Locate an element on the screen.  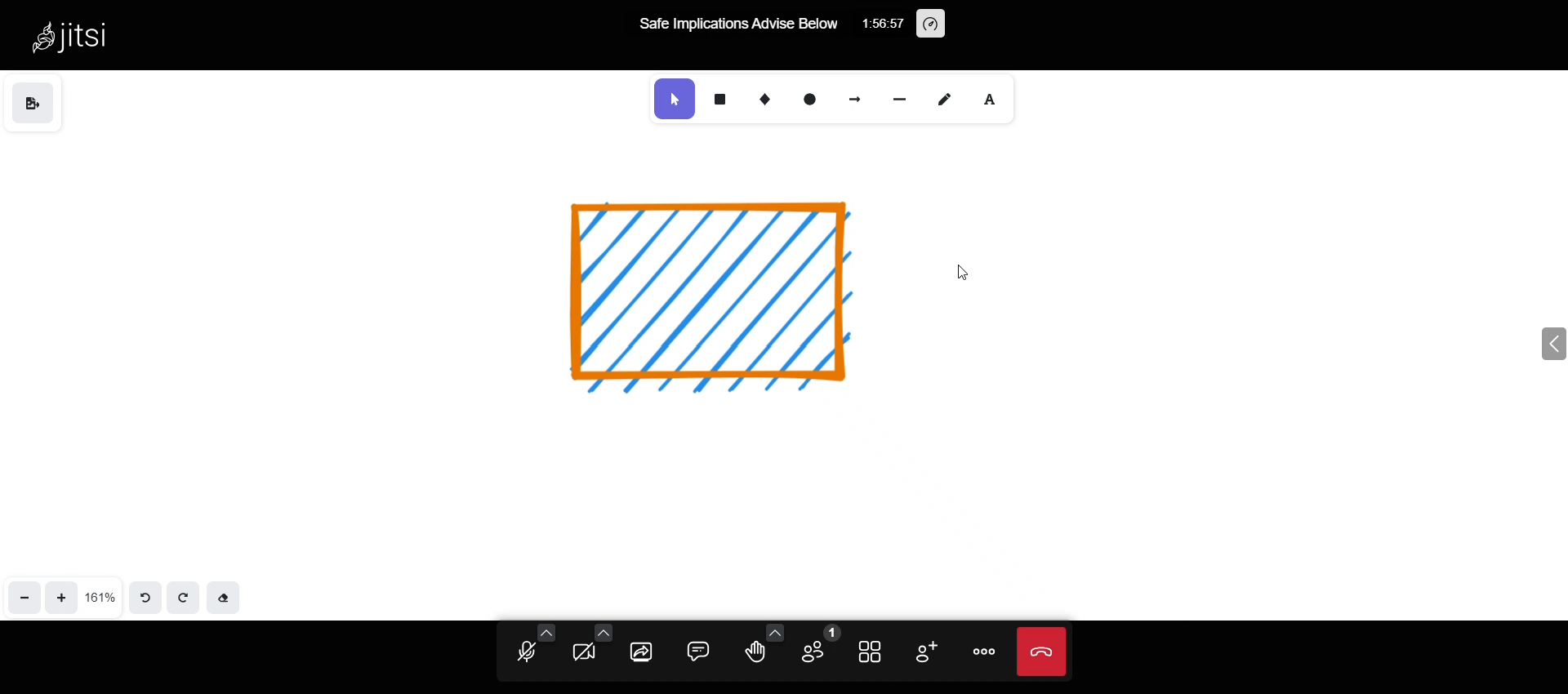
performance setting is located at coordinates (942, 24).